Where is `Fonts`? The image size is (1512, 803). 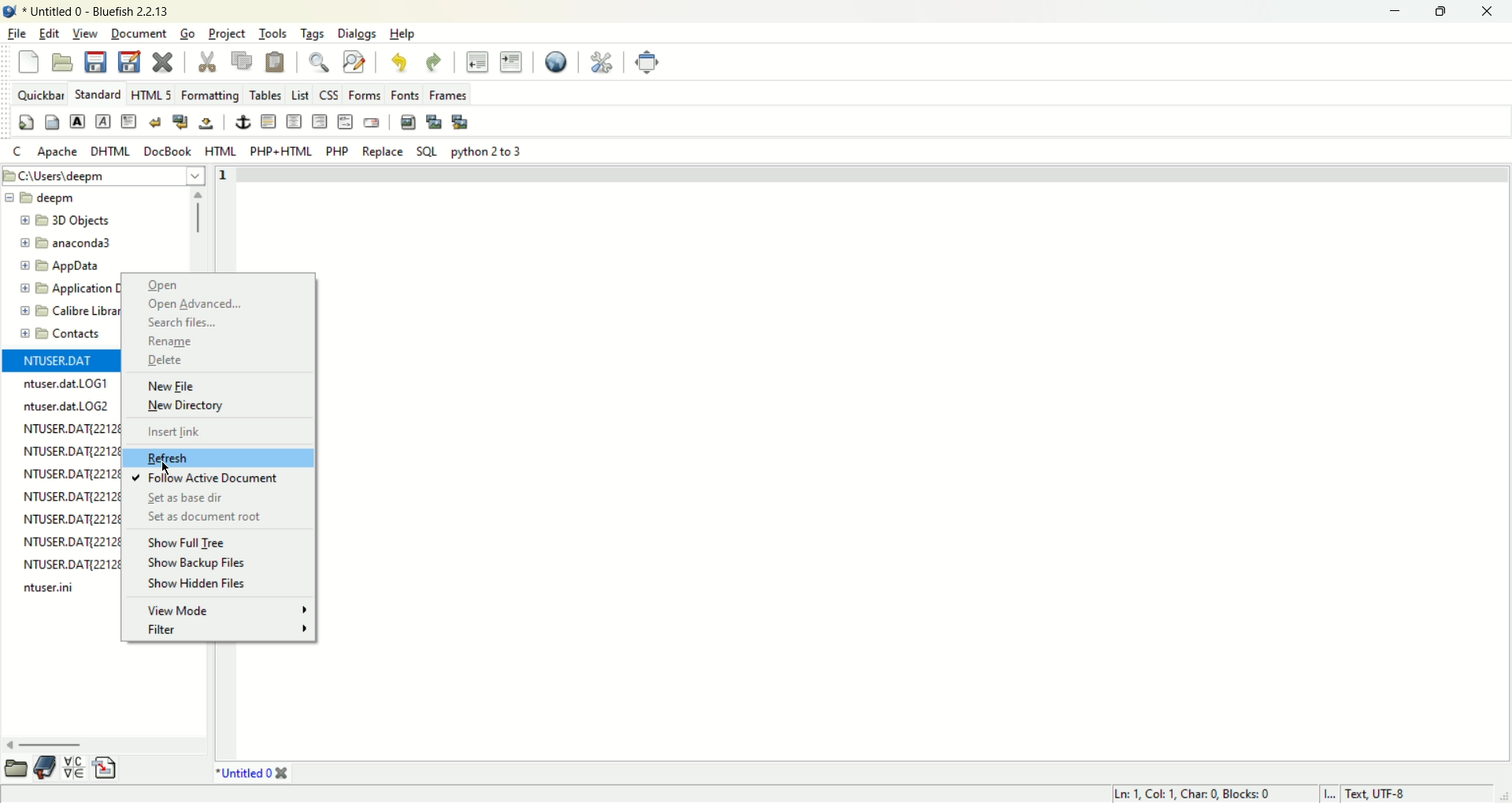
Fonts is located at coordinates (403, 94).